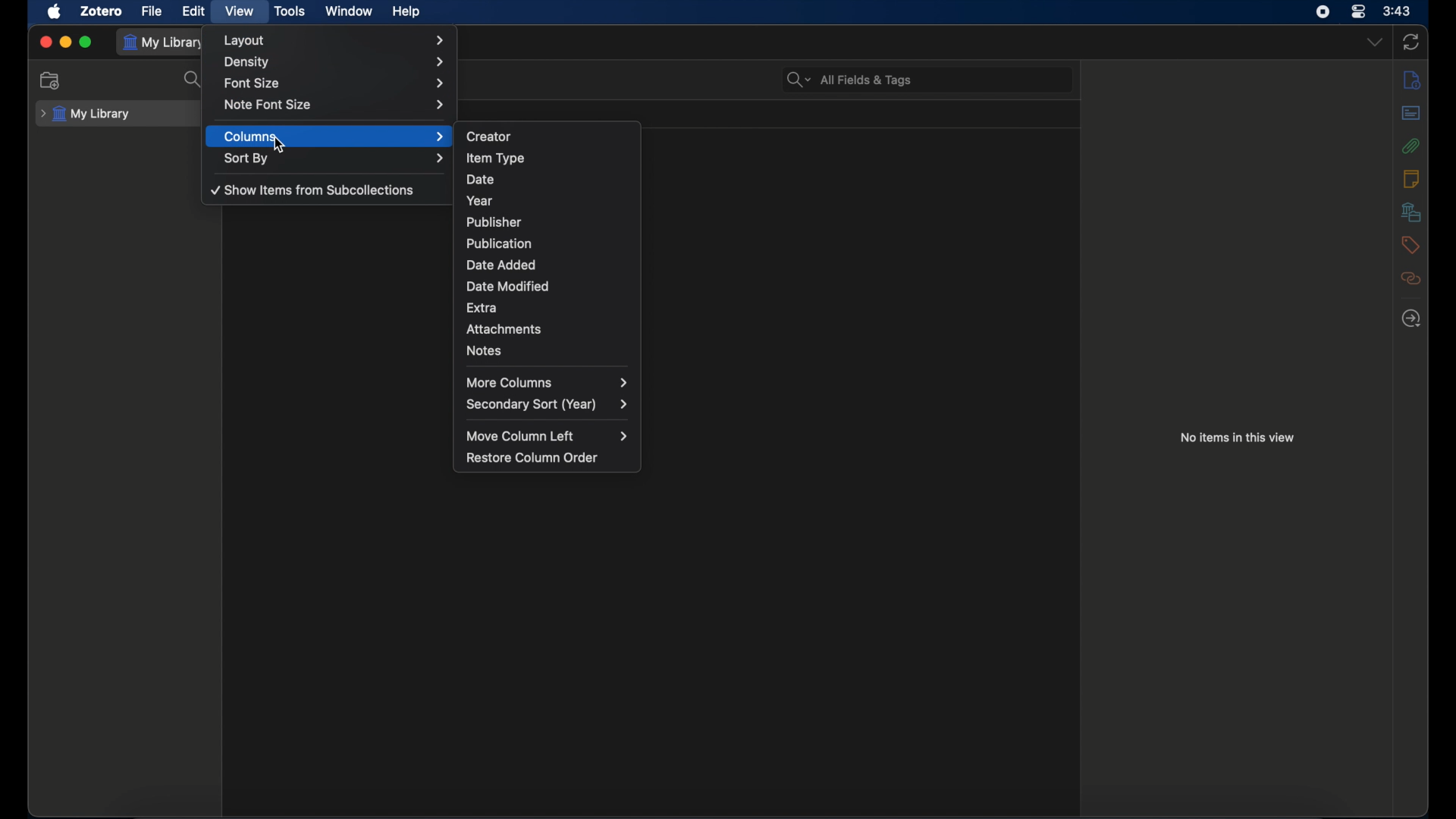  Describe the element at coordinates (85, 114) in the screenshot. I see `my library` at that location.